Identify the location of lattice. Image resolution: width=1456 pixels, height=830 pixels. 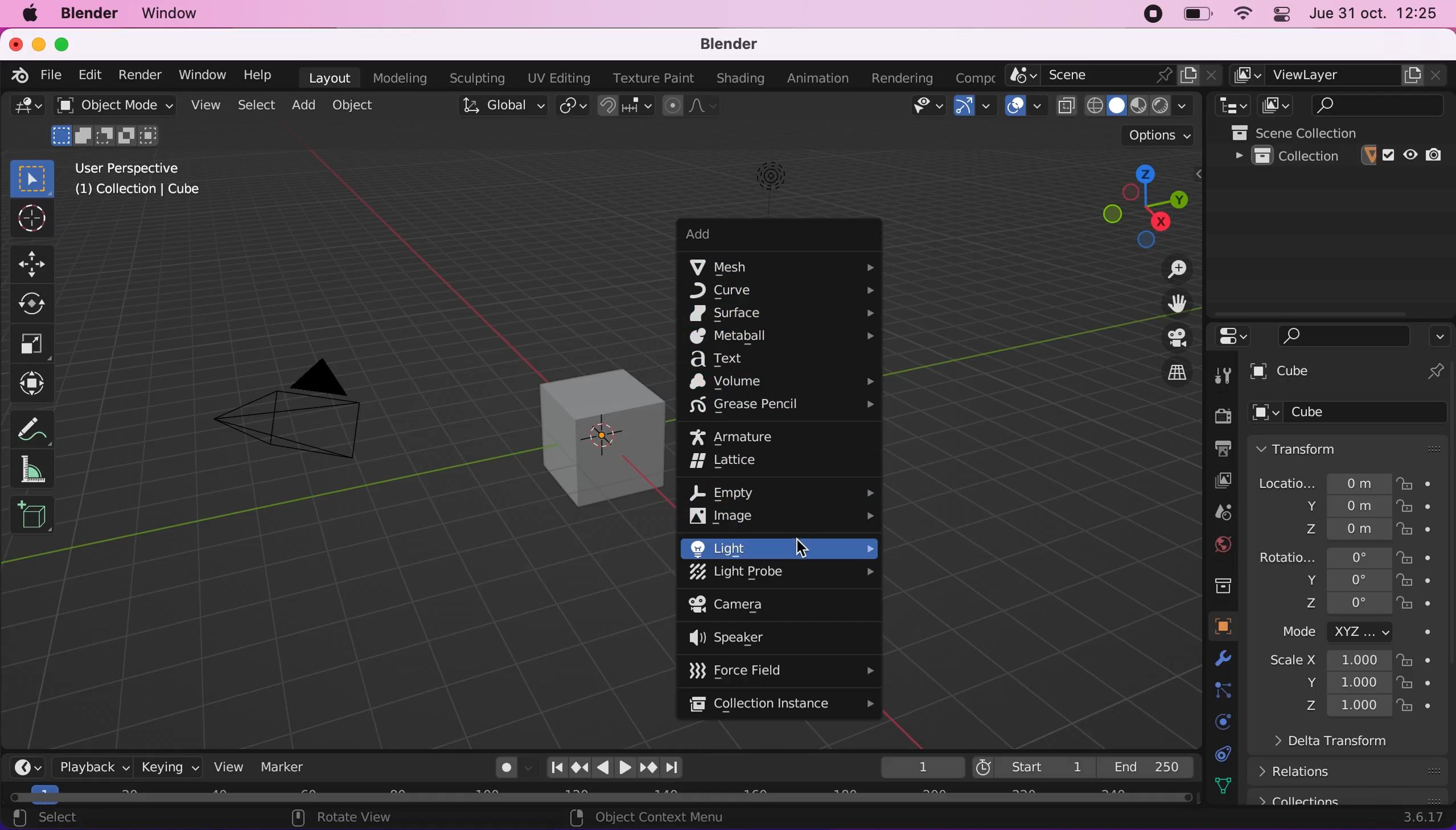
(737, 463).